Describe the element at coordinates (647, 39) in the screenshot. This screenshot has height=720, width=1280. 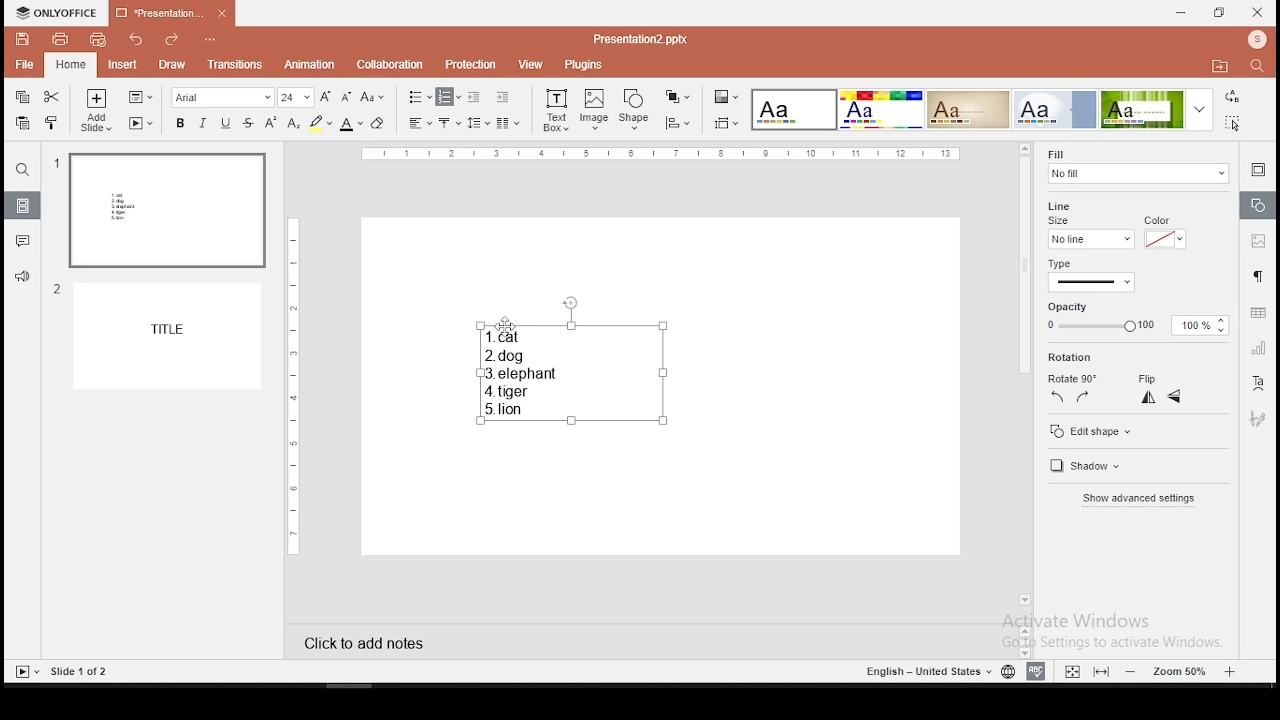
I see `Presentation2.pptx` at that location.